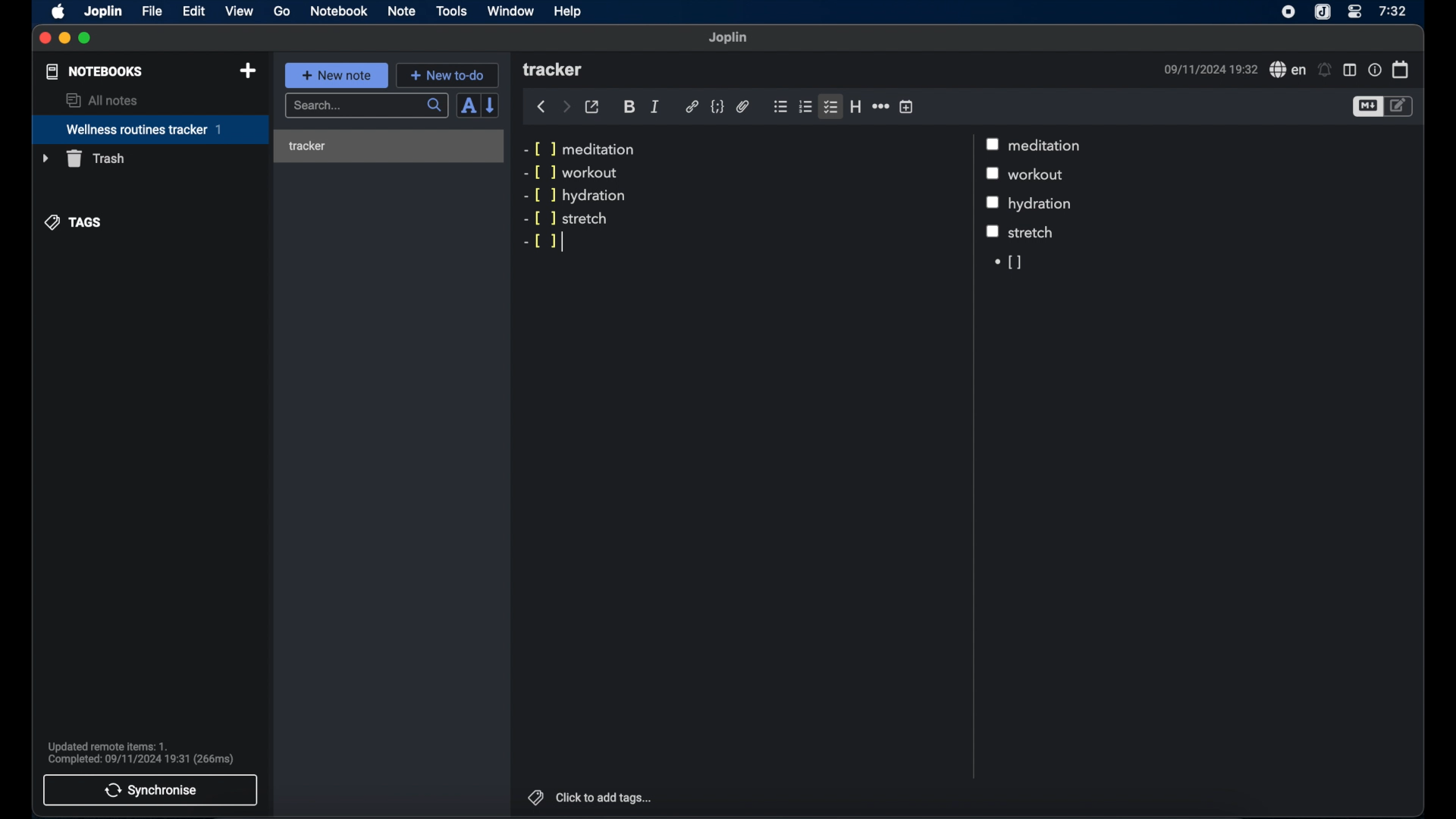  I want to click on horizontal rule, so click(880, 106).